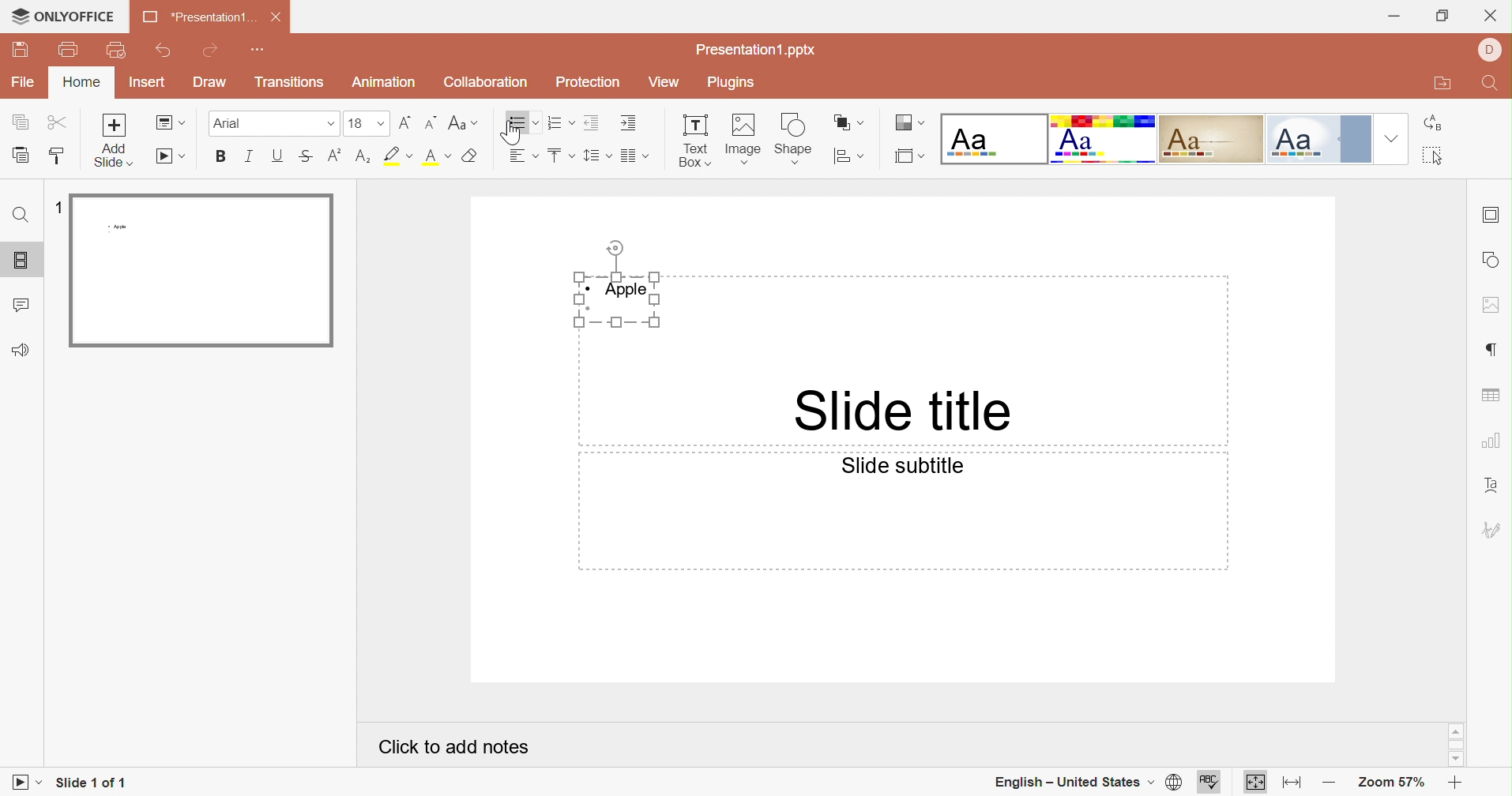 This screenshot has width=1512, height=796. Describe the element at coordinates (56, 210) in the screenshot. I see `1` at that location.